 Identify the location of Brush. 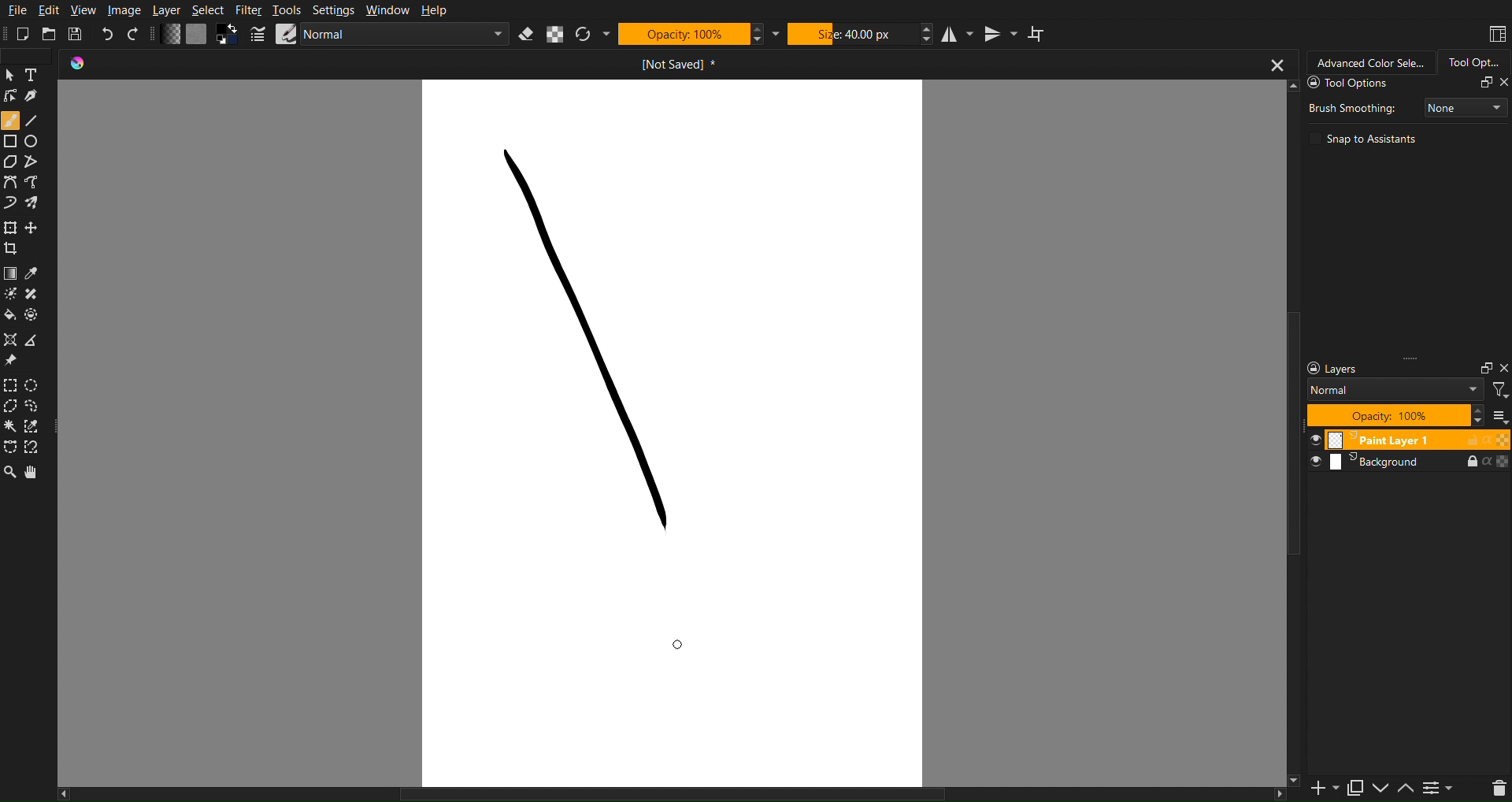
(10, 120).